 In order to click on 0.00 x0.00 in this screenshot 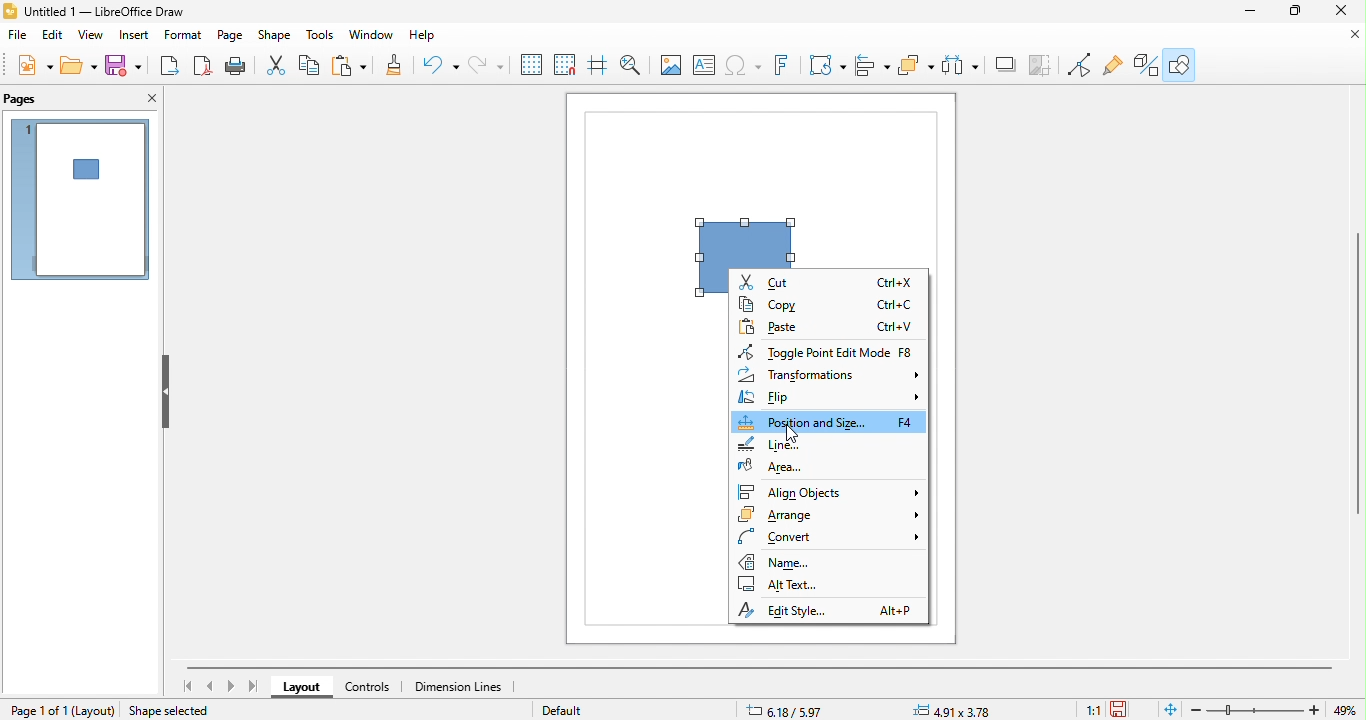, I will do `click(955, 709)`.